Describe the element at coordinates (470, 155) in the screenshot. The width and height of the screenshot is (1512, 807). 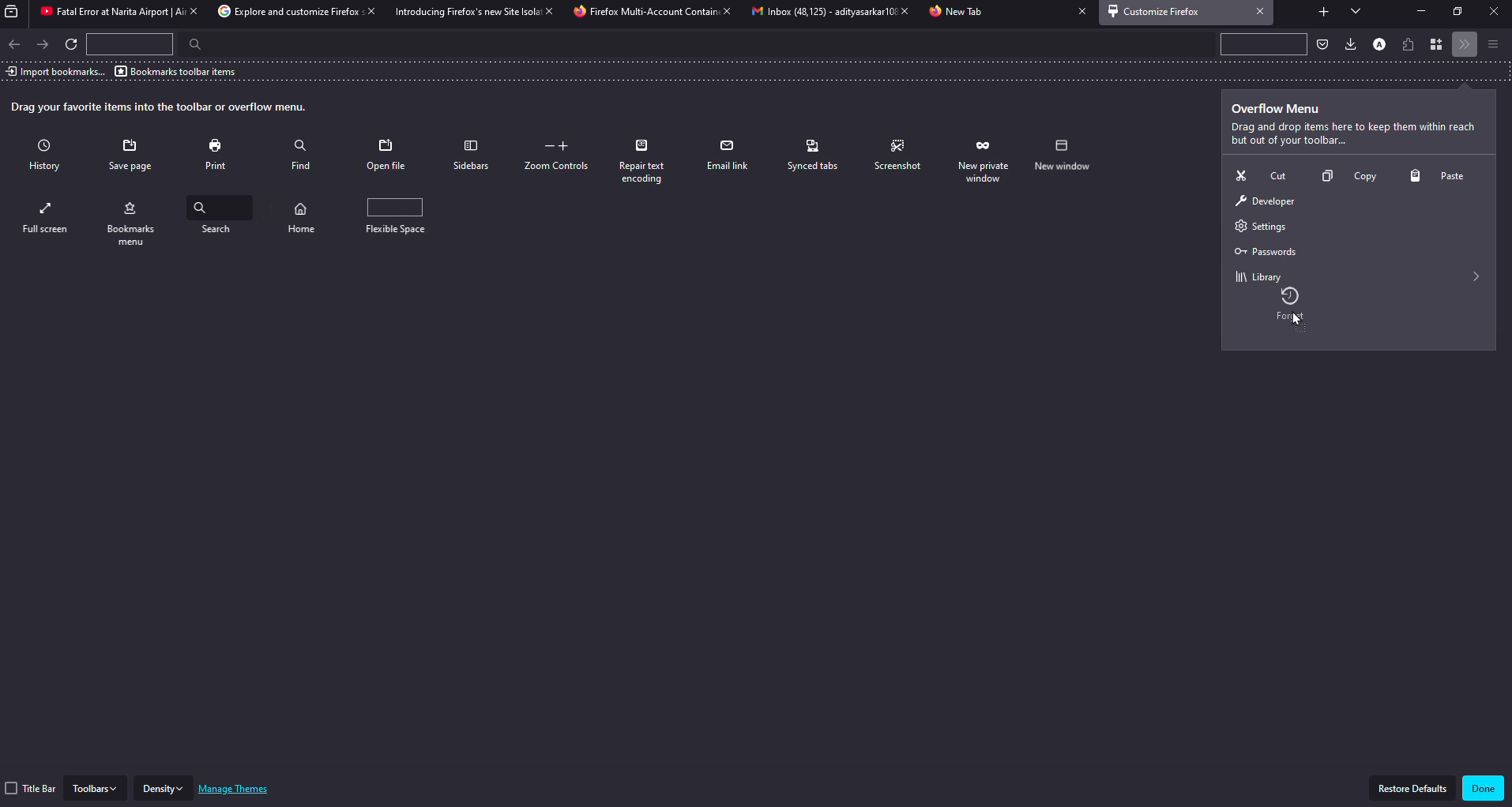
I see `sidebars` at that location.